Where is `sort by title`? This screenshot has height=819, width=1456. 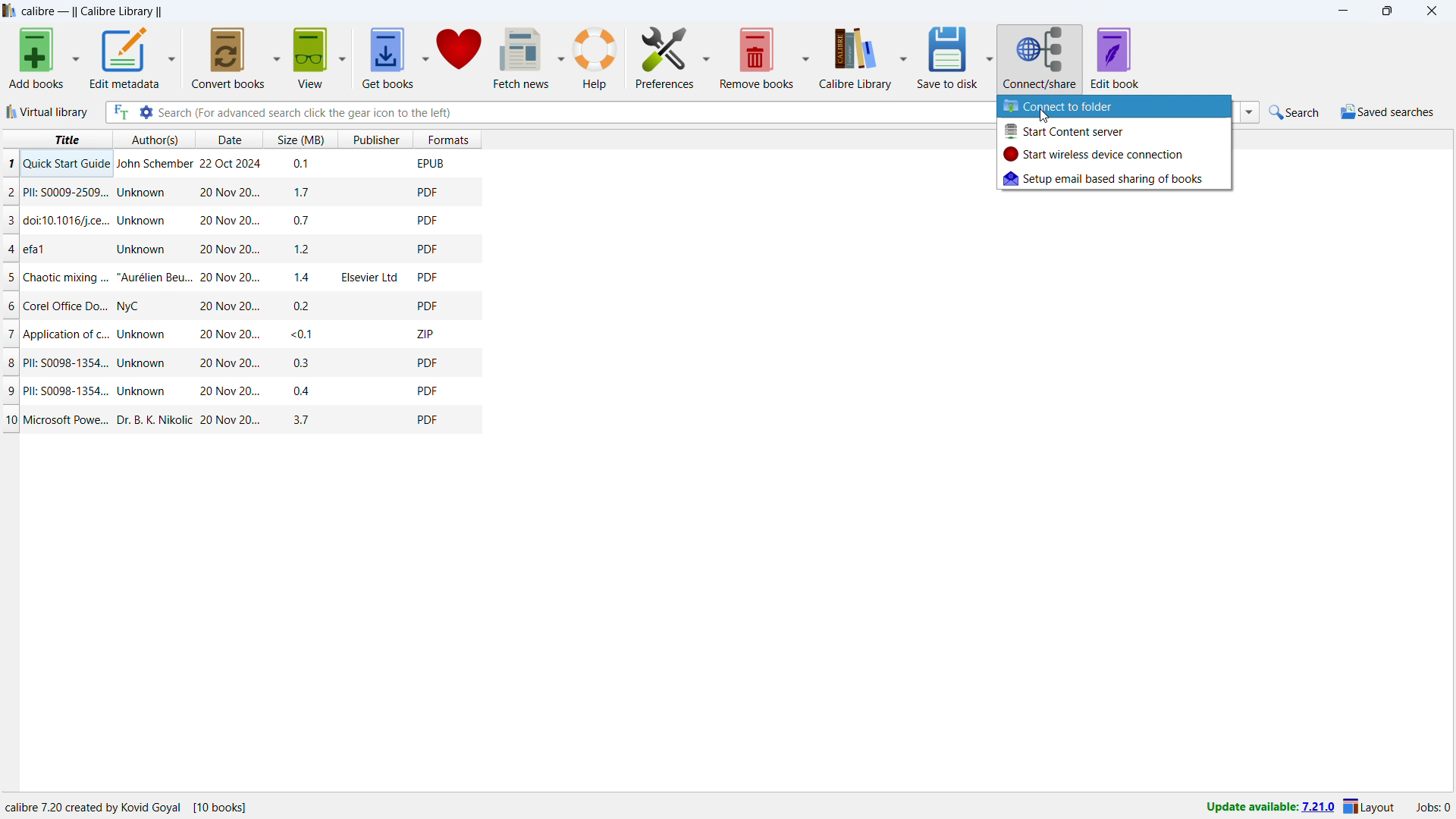 sort by title is located at coordinates (56, 140).